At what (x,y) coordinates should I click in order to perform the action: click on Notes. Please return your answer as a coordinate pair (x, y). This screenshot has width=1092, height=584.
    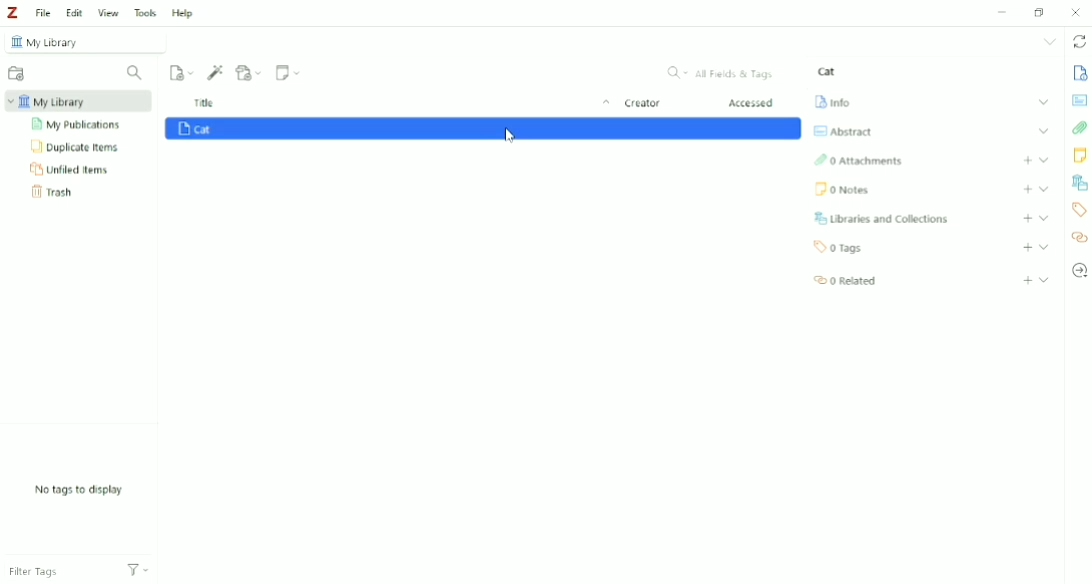
    Looking at the image, I should click on (1080, 155).